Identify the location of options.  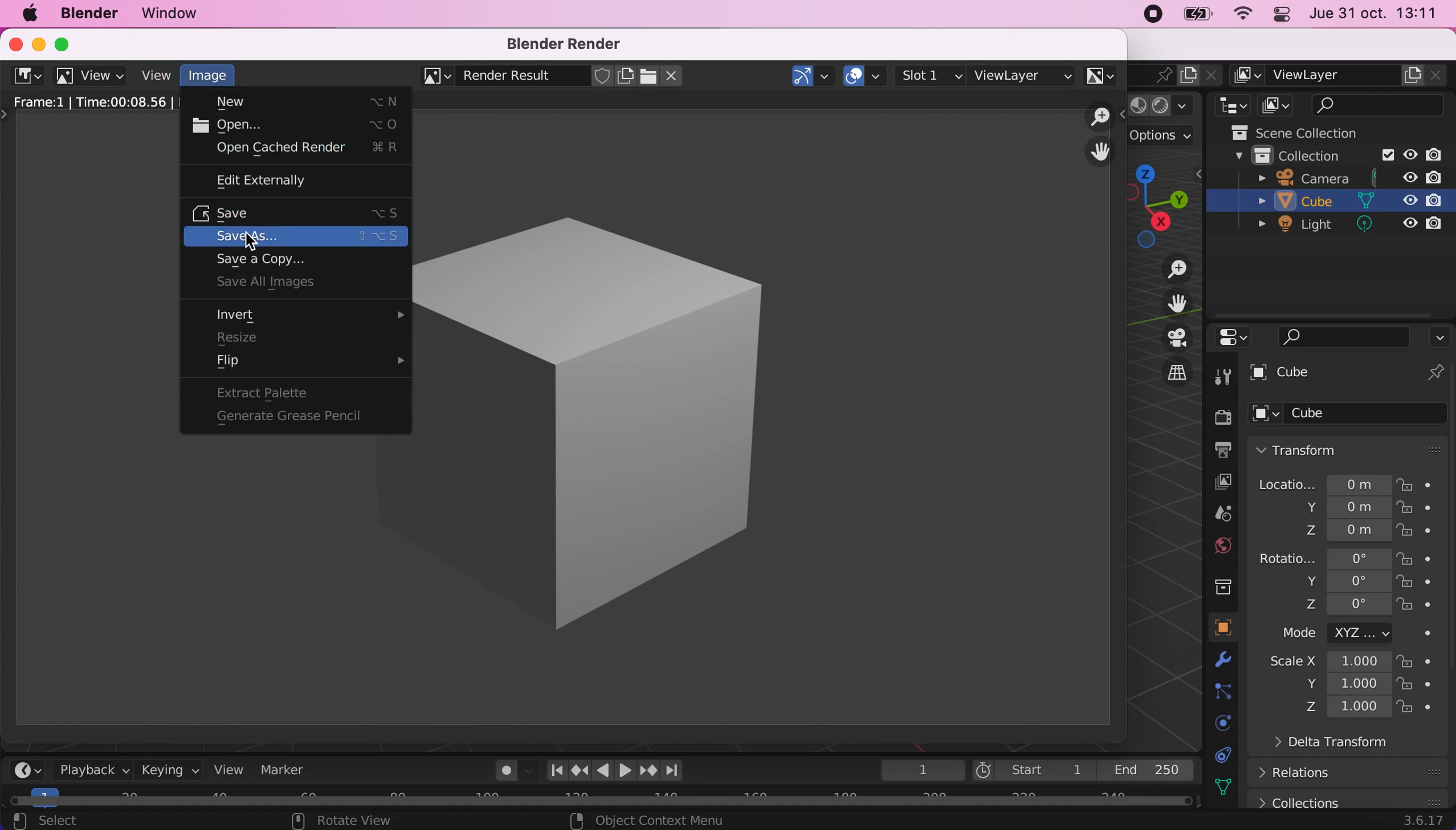
(1169, 138).